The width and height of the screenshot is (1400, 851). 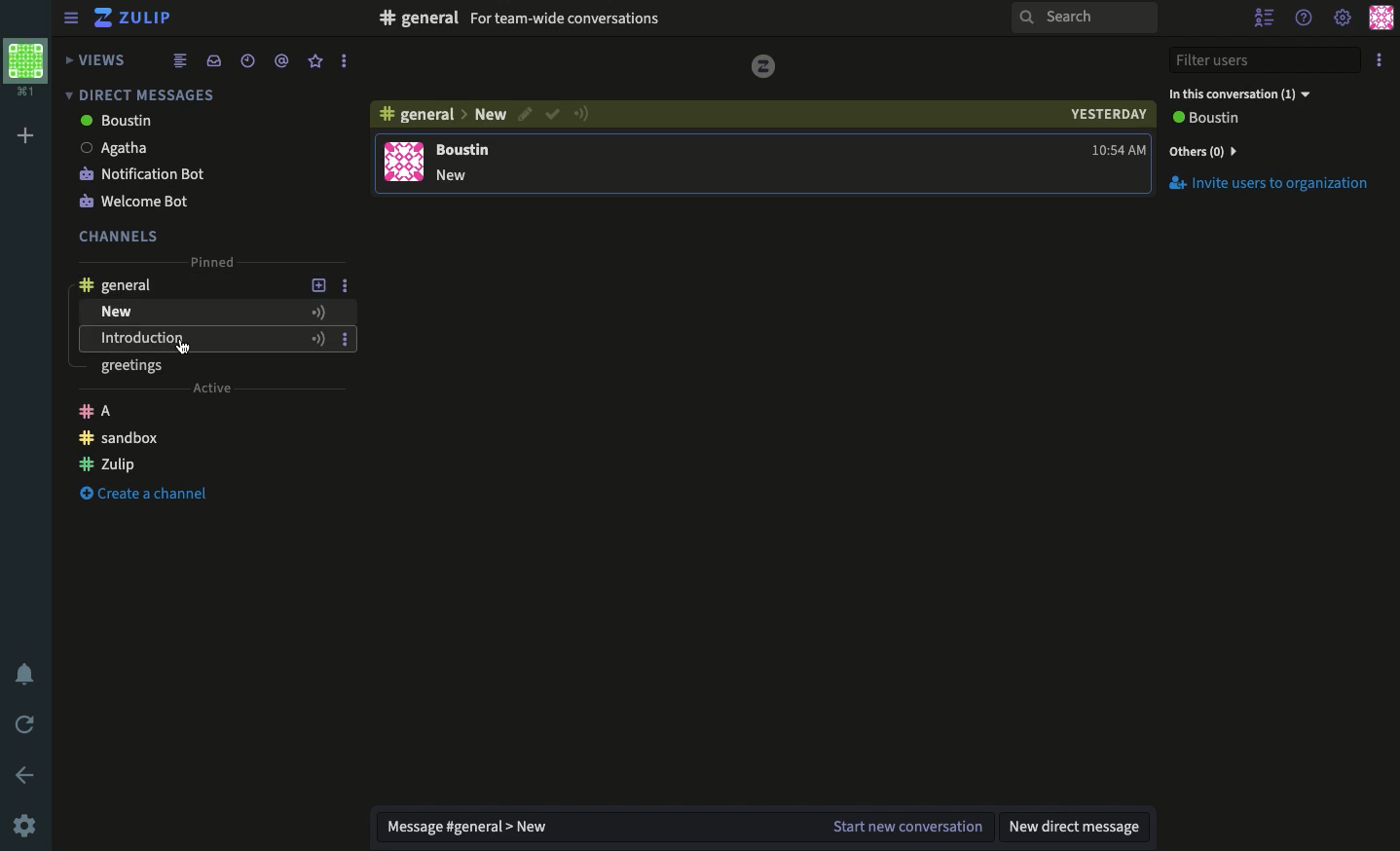 What do you see at coordinates (117, 284) in the screenshot?
I see `General` at bounding box center [117, 284].